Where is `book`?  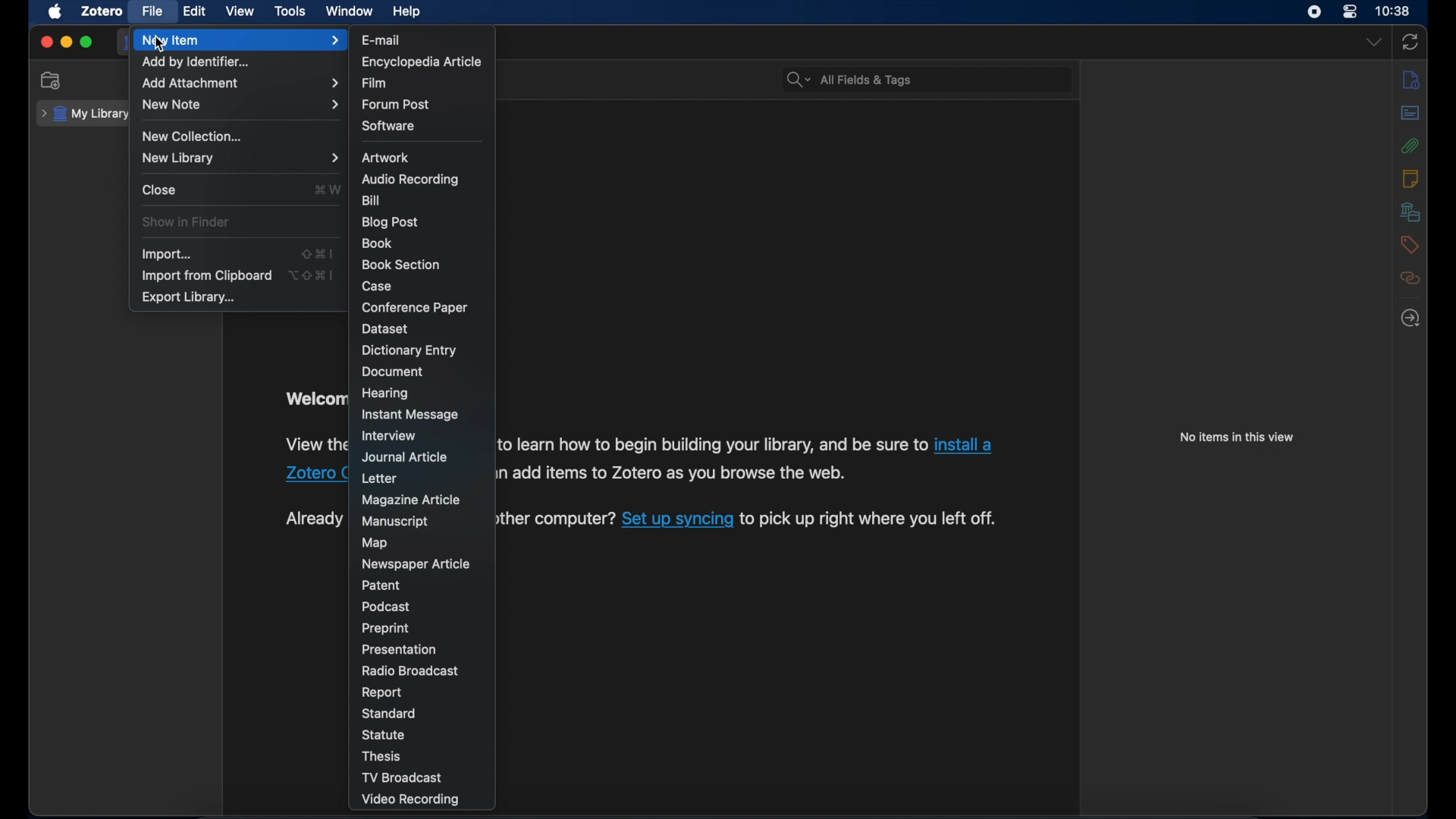 book is located at coordinates (381, 244).